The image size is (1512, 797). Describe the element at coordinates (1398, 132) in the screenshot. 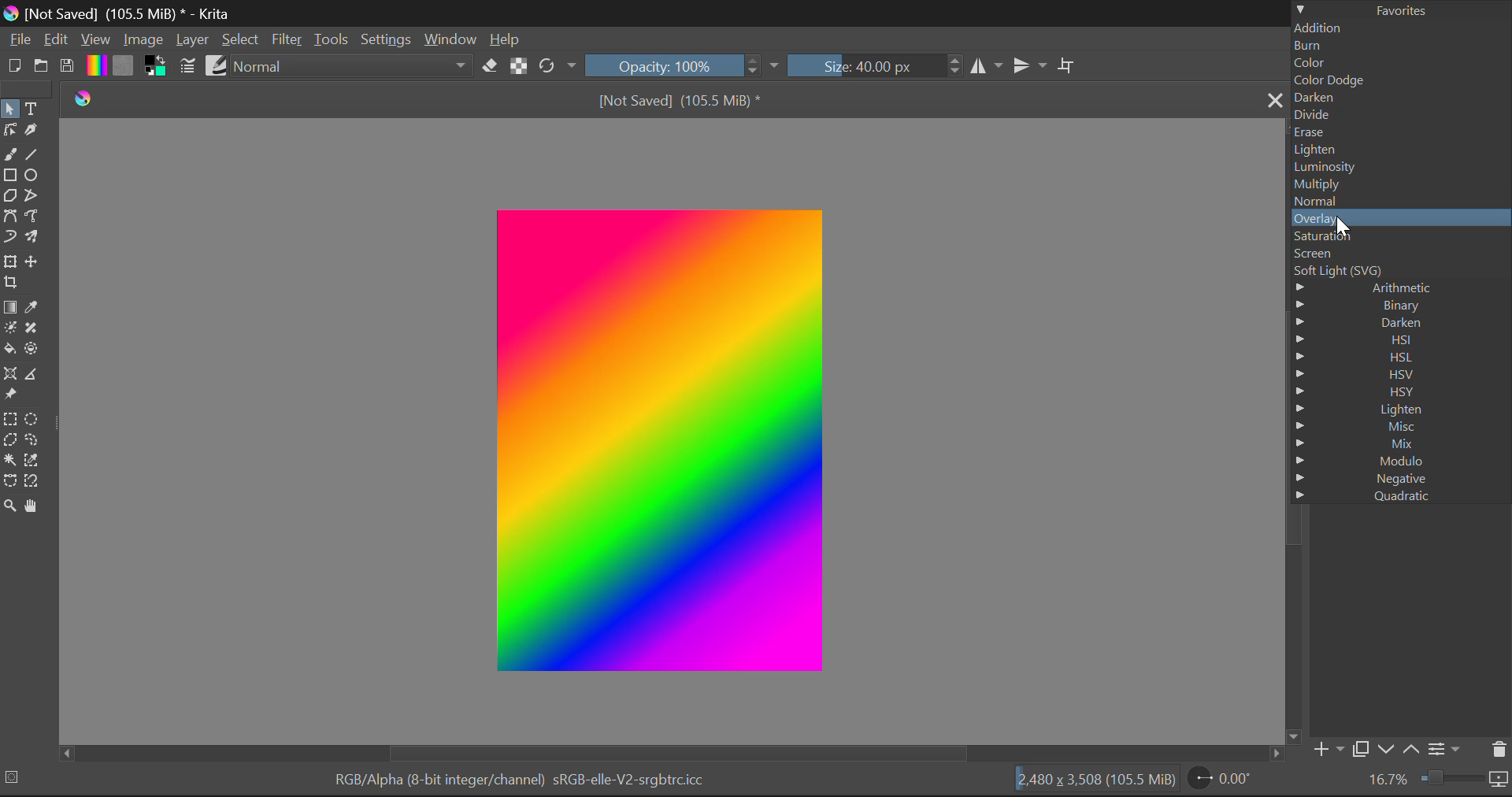

I see `Erase` at that location.